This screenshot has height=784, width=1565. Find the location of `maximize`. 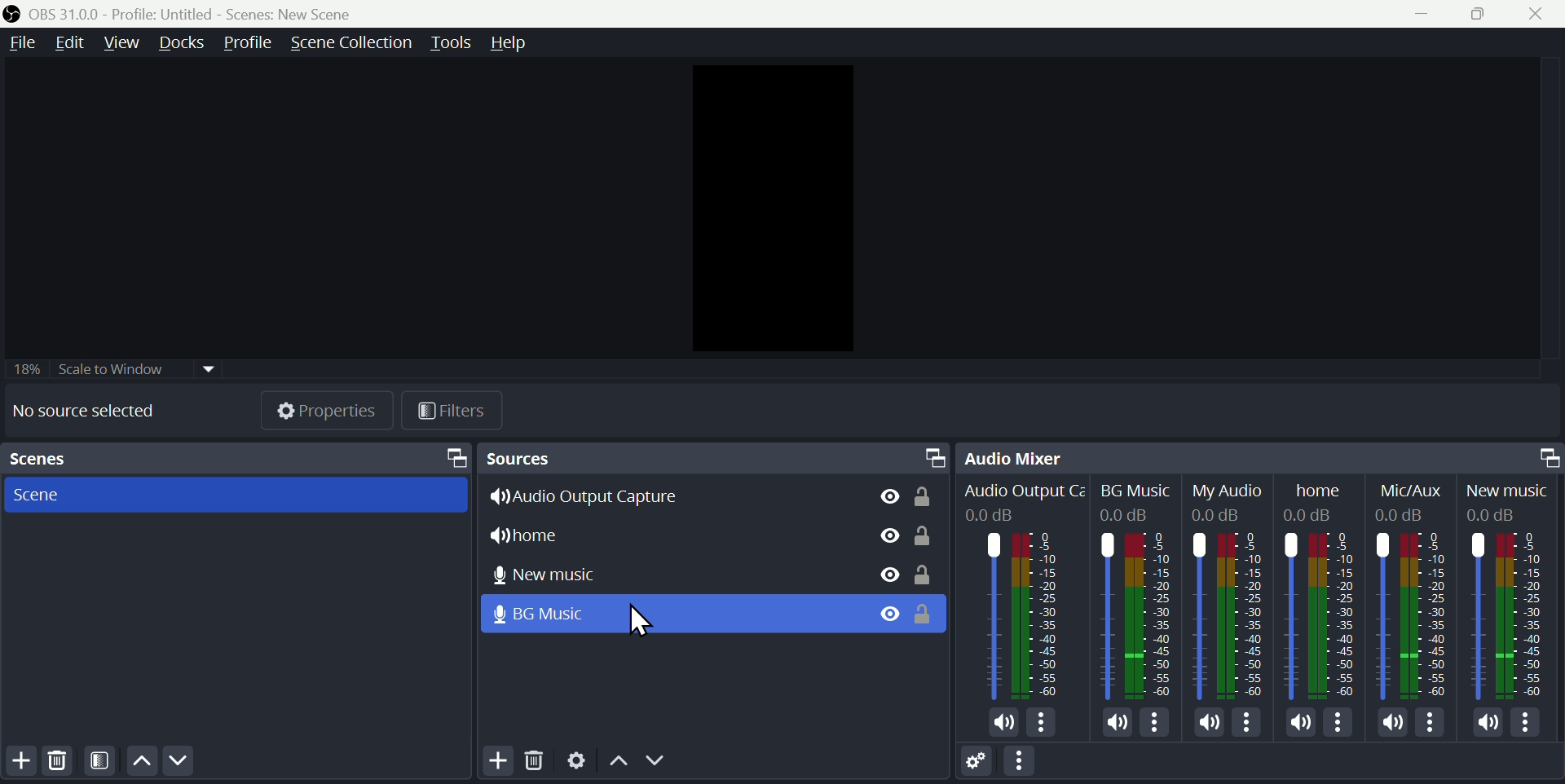

maximize is located at coordinates (1544, 454).